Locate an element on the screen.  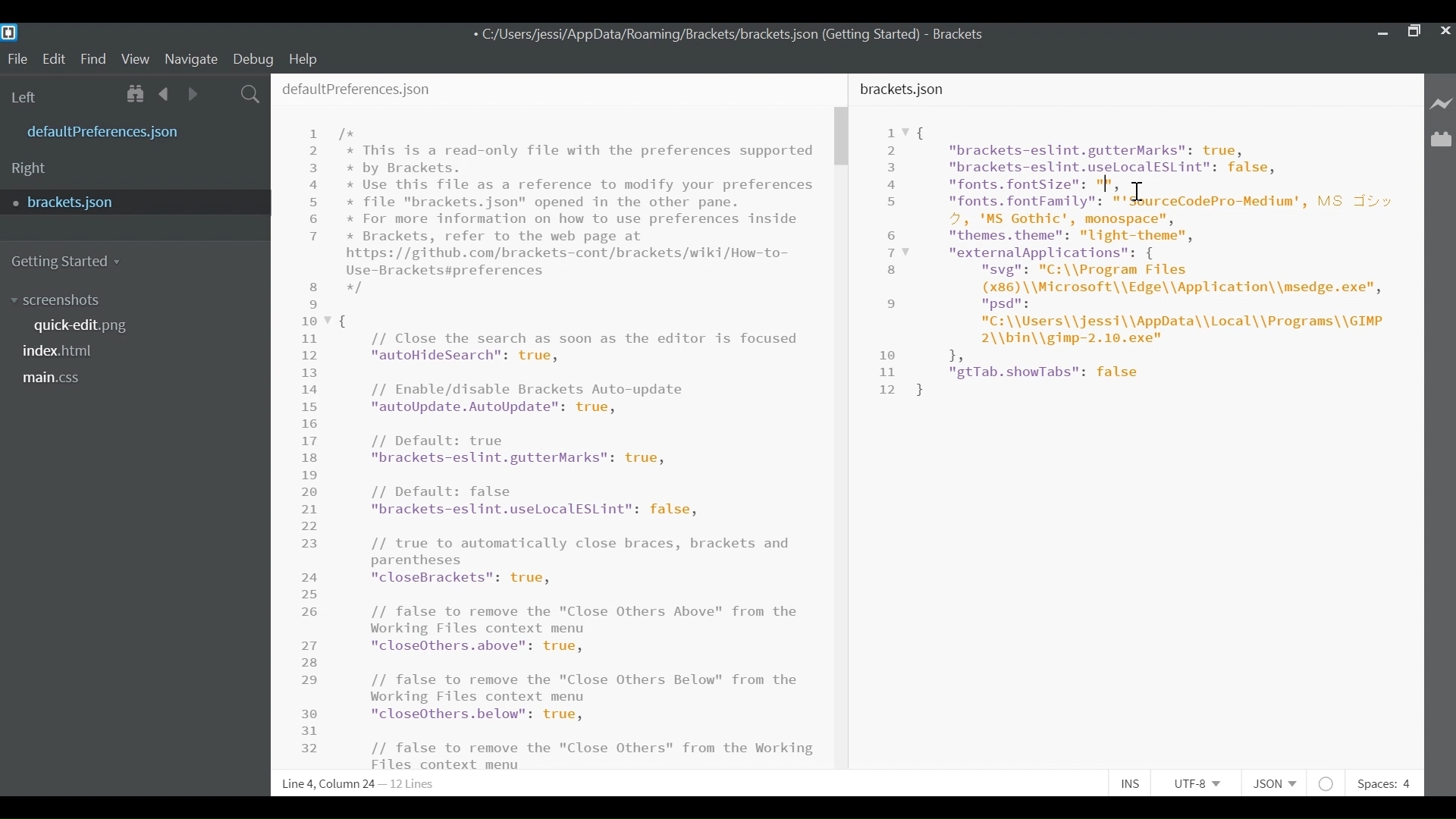
screenshots is located at coordinates (55, 300).